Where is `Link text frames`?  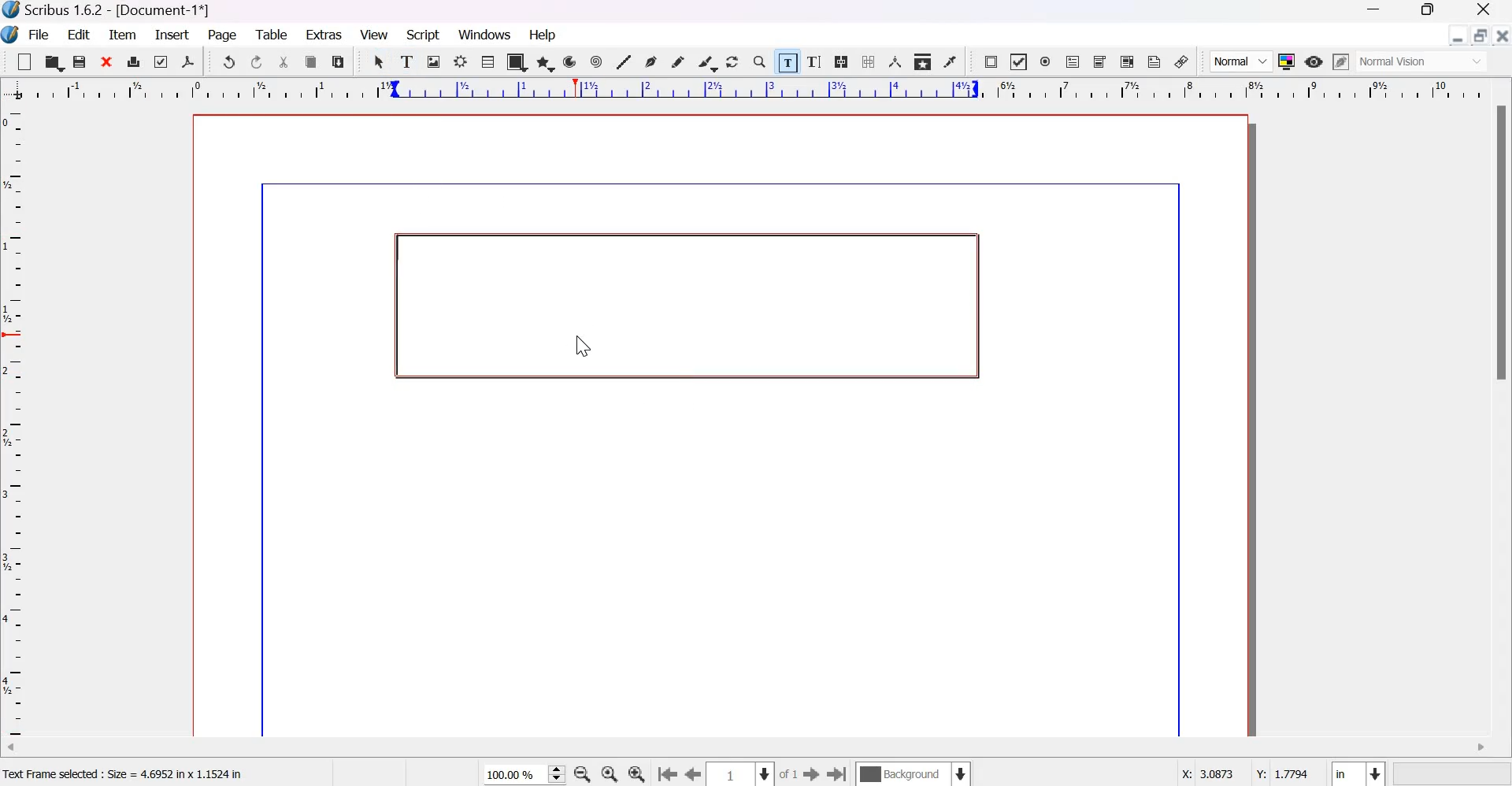
Link text frames is located at coordinates (841, 61).